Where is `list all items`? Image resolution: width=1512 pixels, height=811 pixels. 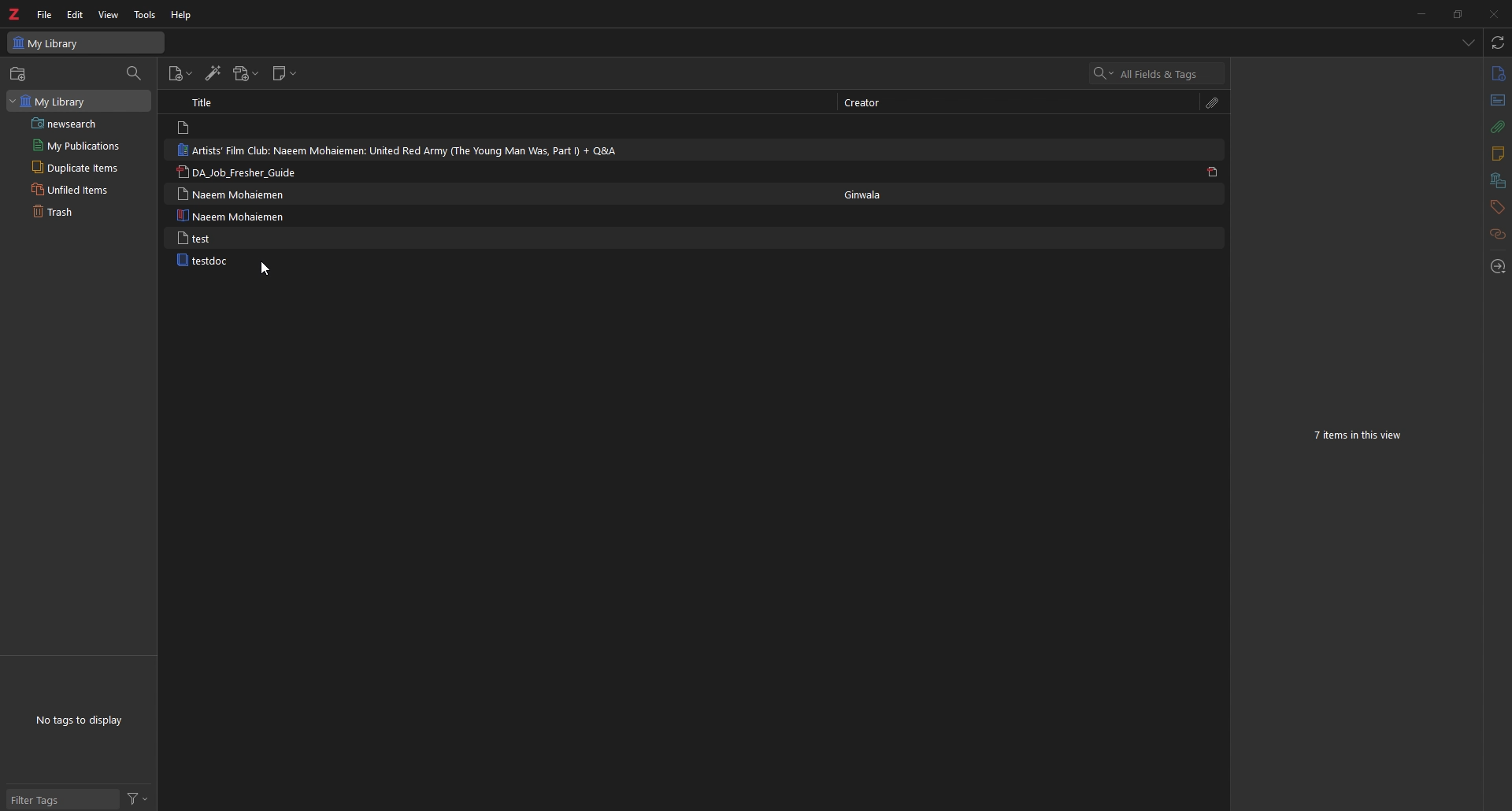 list all items is located at coordinates (1466, 42).